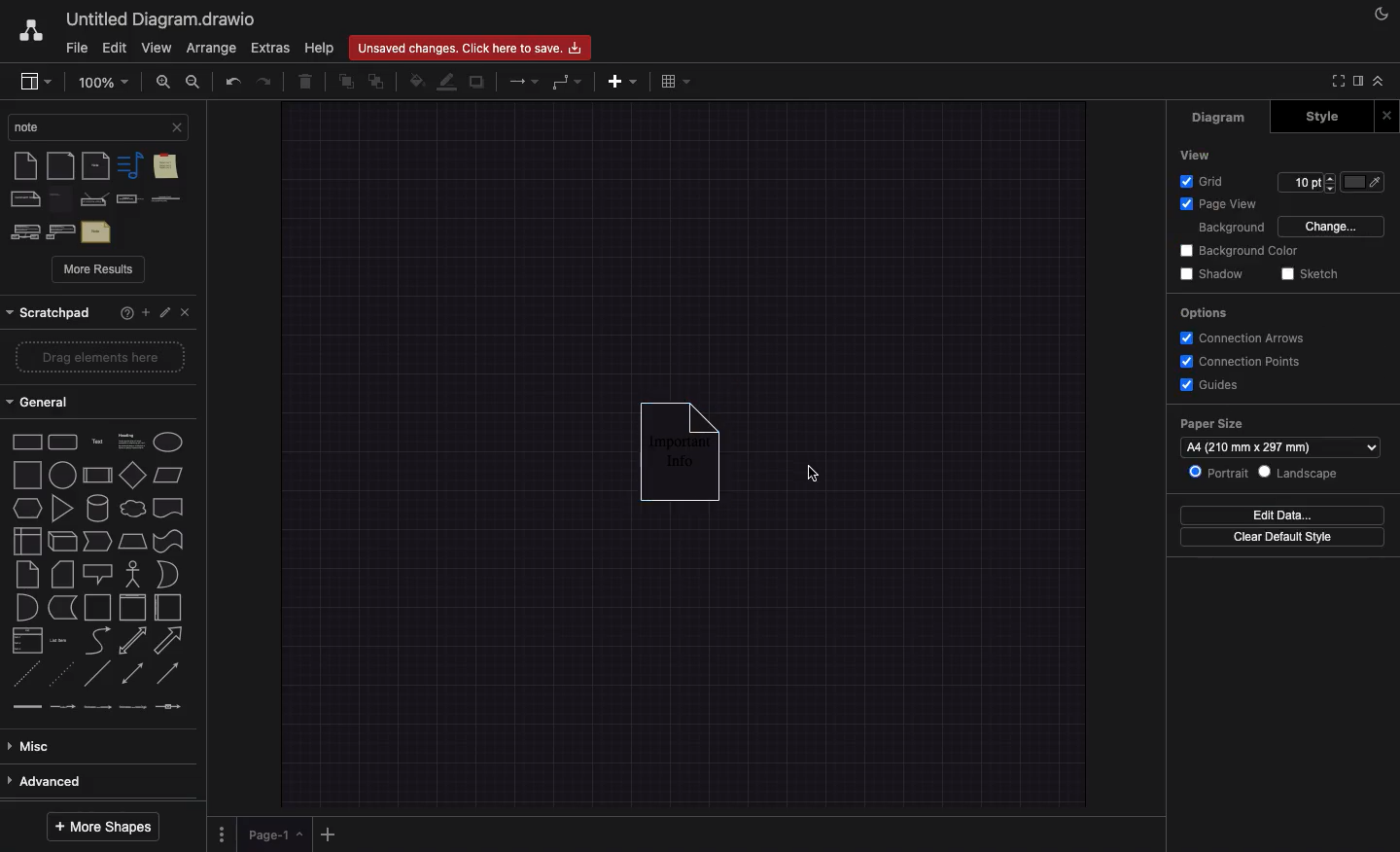 The image size is (1400, 852). I want to click on data storage, so click(62, 608).